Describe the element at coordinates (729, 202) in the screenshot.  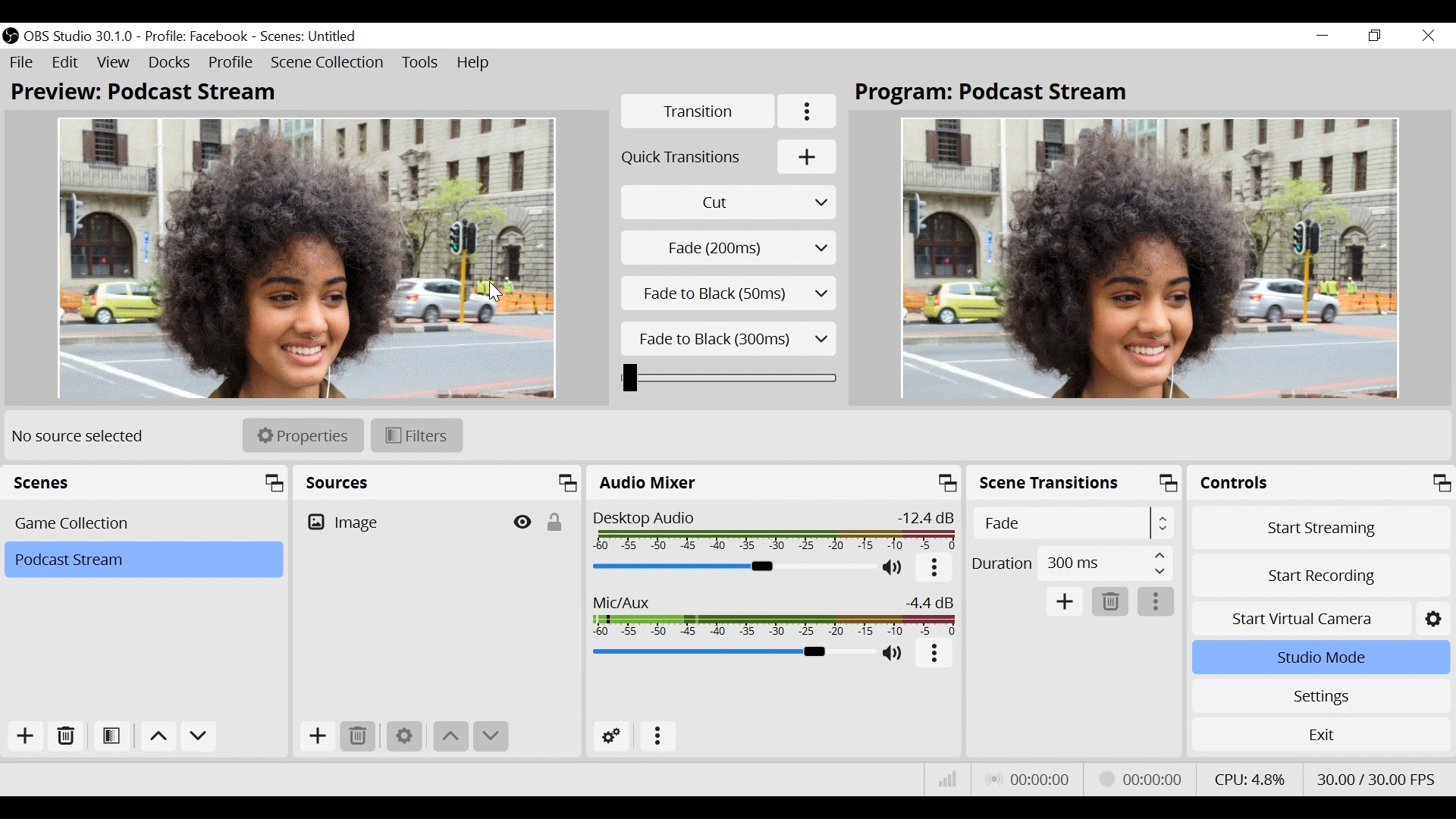
I see `Cut` at that location.